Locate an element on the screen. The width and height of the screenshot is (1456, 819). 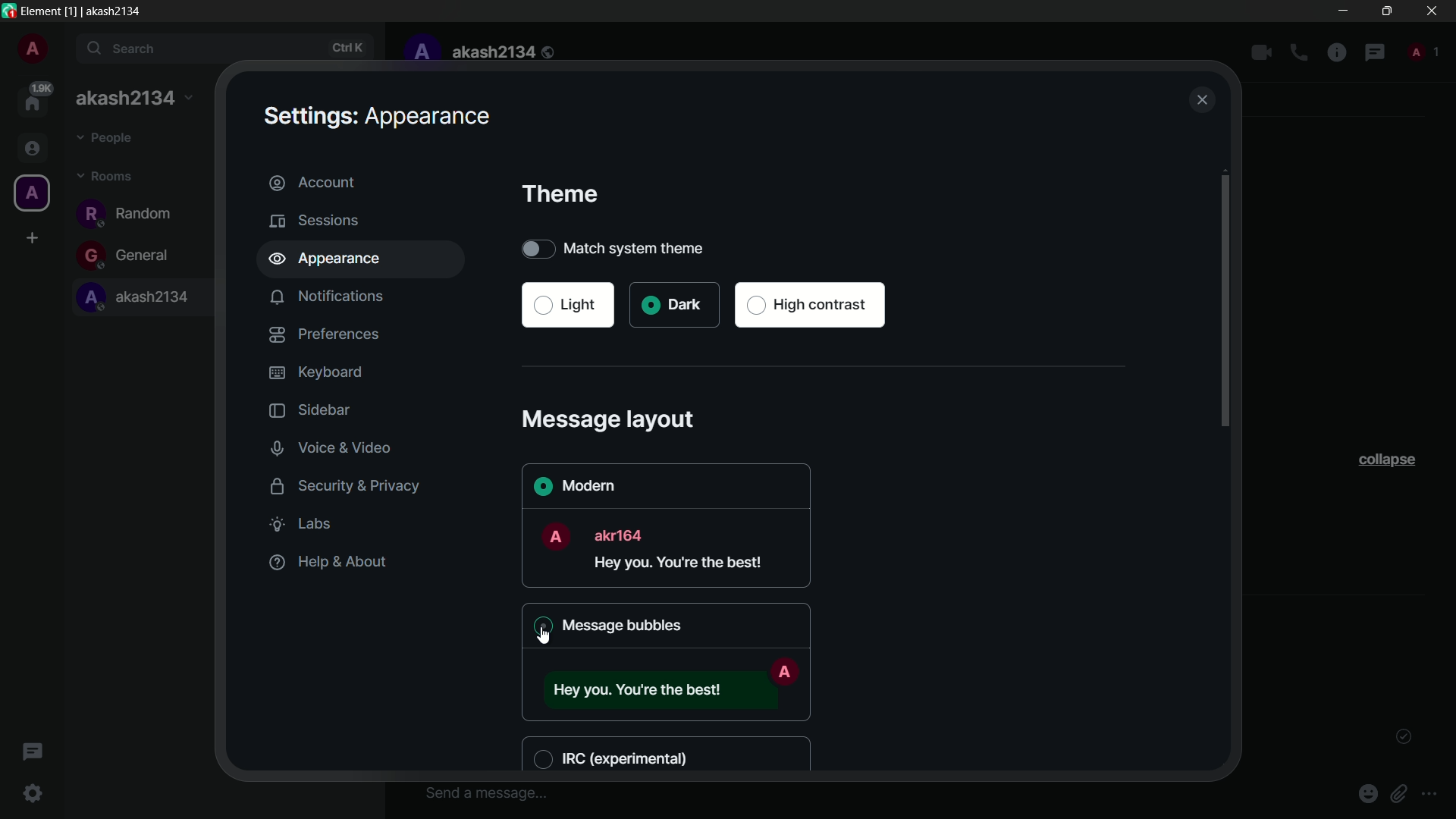
akash2134 is located at coordinates (137, 299).